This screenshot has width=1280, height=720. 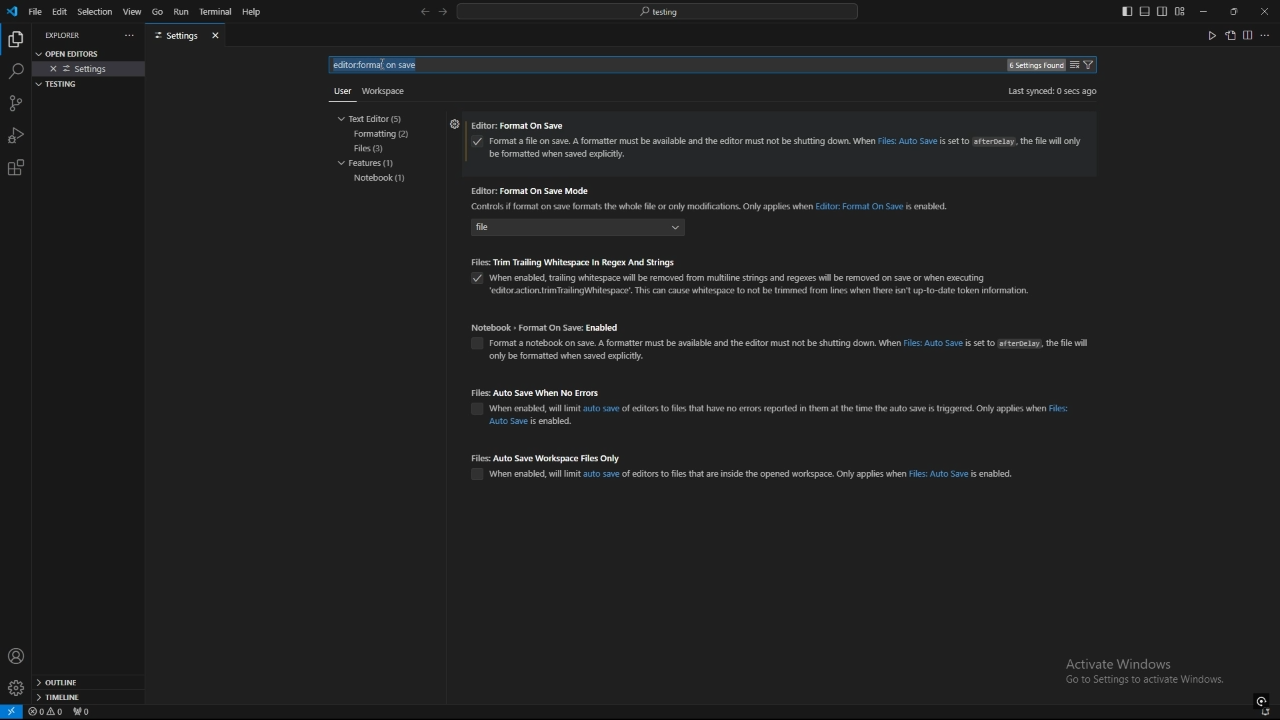 What do you see at coordinates (1211, 35) in the screenshot?
I see `run code` at bounding box center [1211, 35].